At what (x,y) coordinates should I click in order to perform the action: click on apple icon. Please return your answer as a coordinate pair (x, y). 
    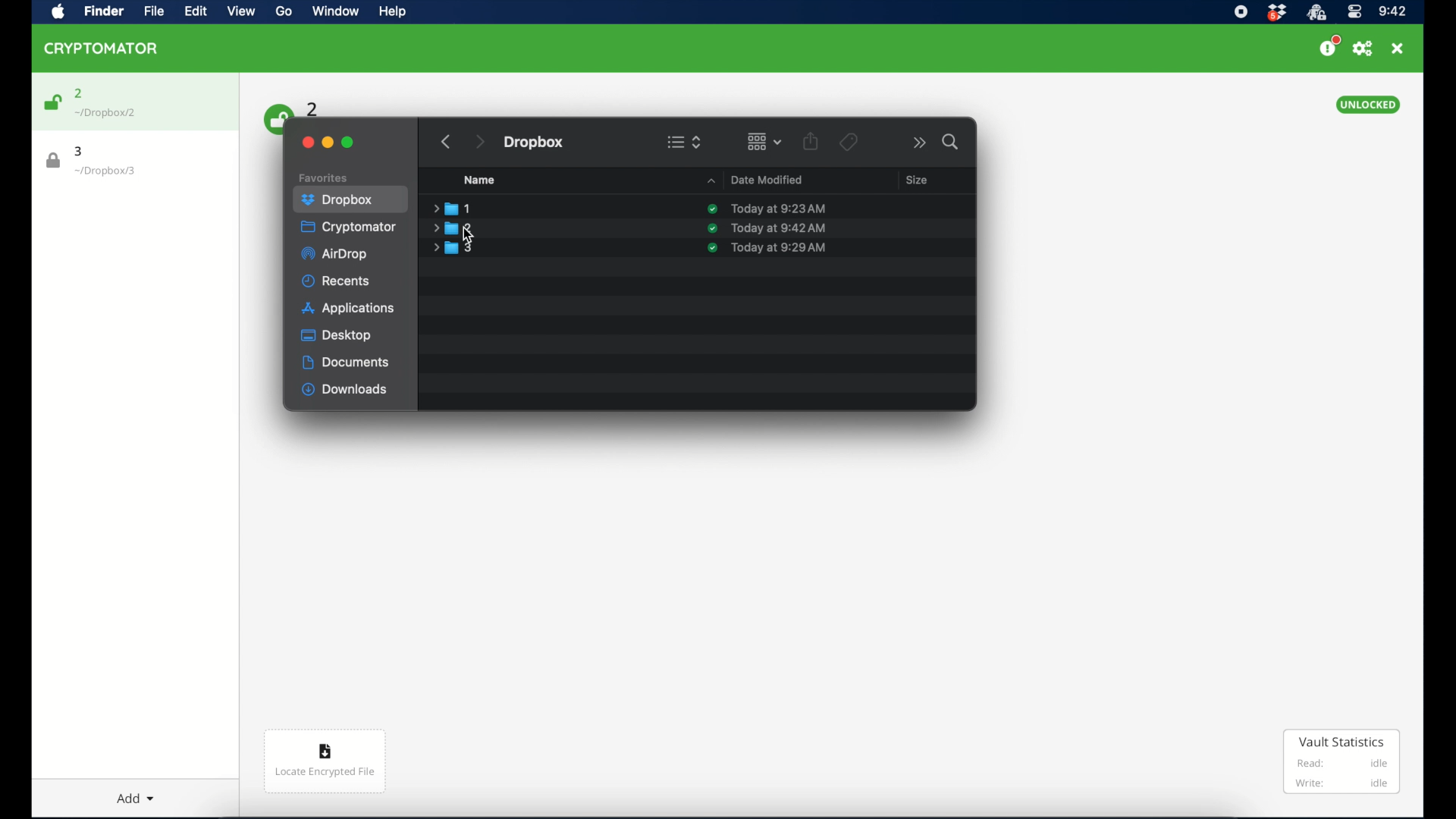
    Looking at the image, I should click on (58, 12).